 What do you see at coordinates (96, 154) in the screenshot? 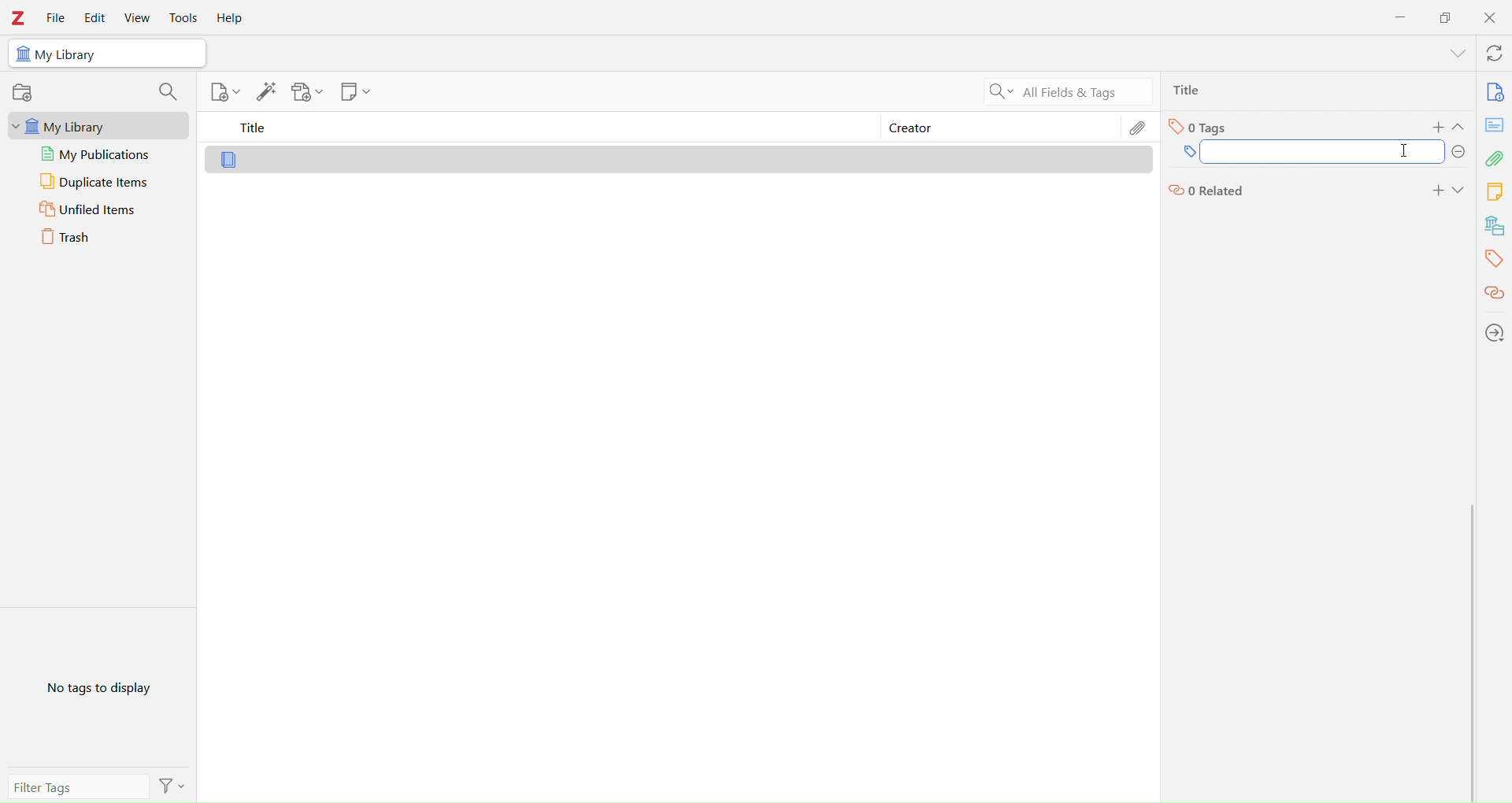
I see `My publications` at bounding box center [96, 154].